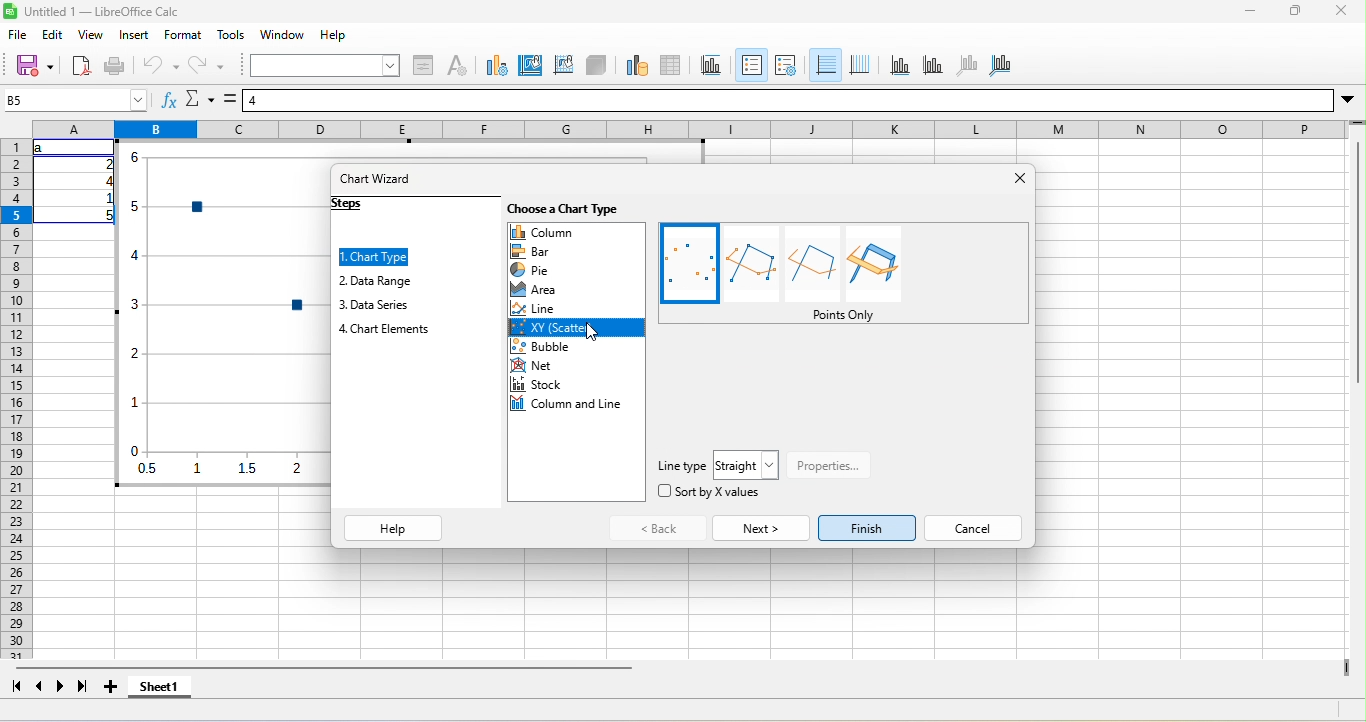  Describe the element at coordinates (183, 35) in the screenshot. I see `format` at that location.